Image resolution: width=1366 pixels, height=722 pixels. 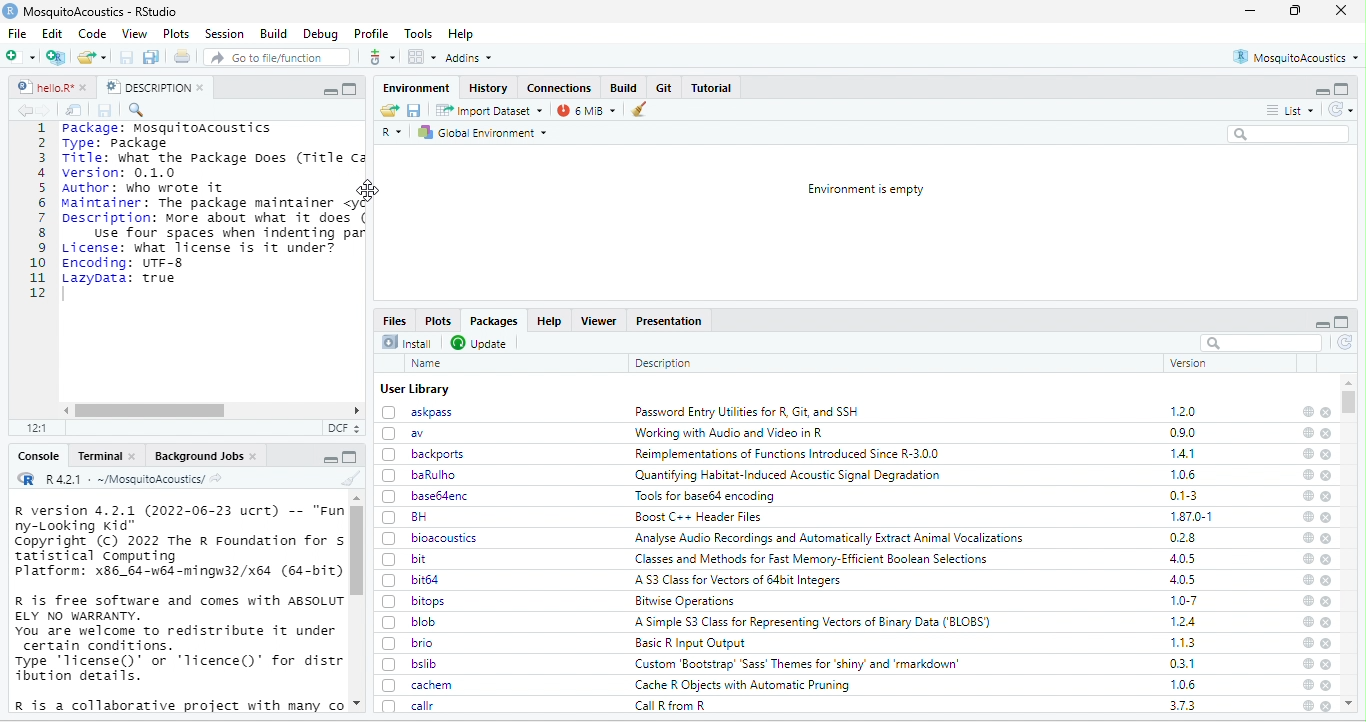 What do you see at coordinates (427, 363) in the screenshot?
I see `Name` at bounding box center [427, 363].